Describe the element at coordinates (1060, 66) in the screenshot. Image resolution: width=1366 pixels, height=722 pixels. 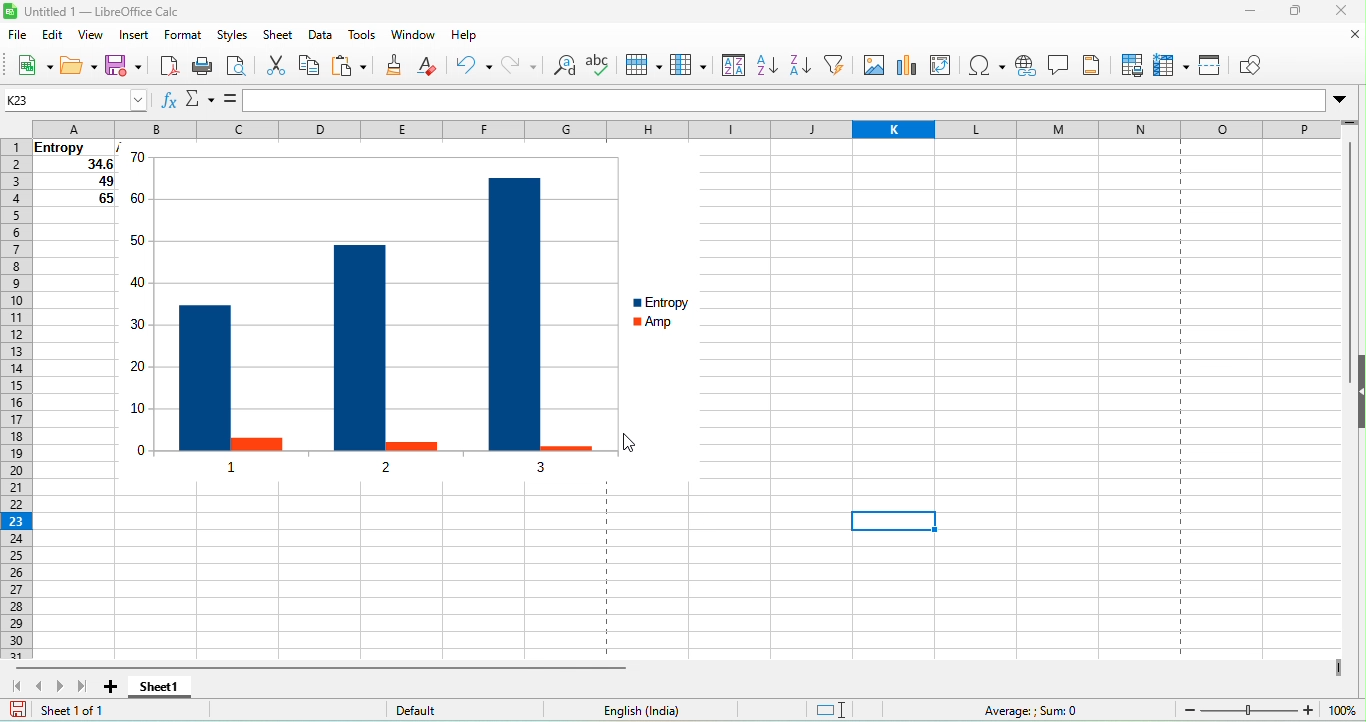
I see `insert comment` at that location.